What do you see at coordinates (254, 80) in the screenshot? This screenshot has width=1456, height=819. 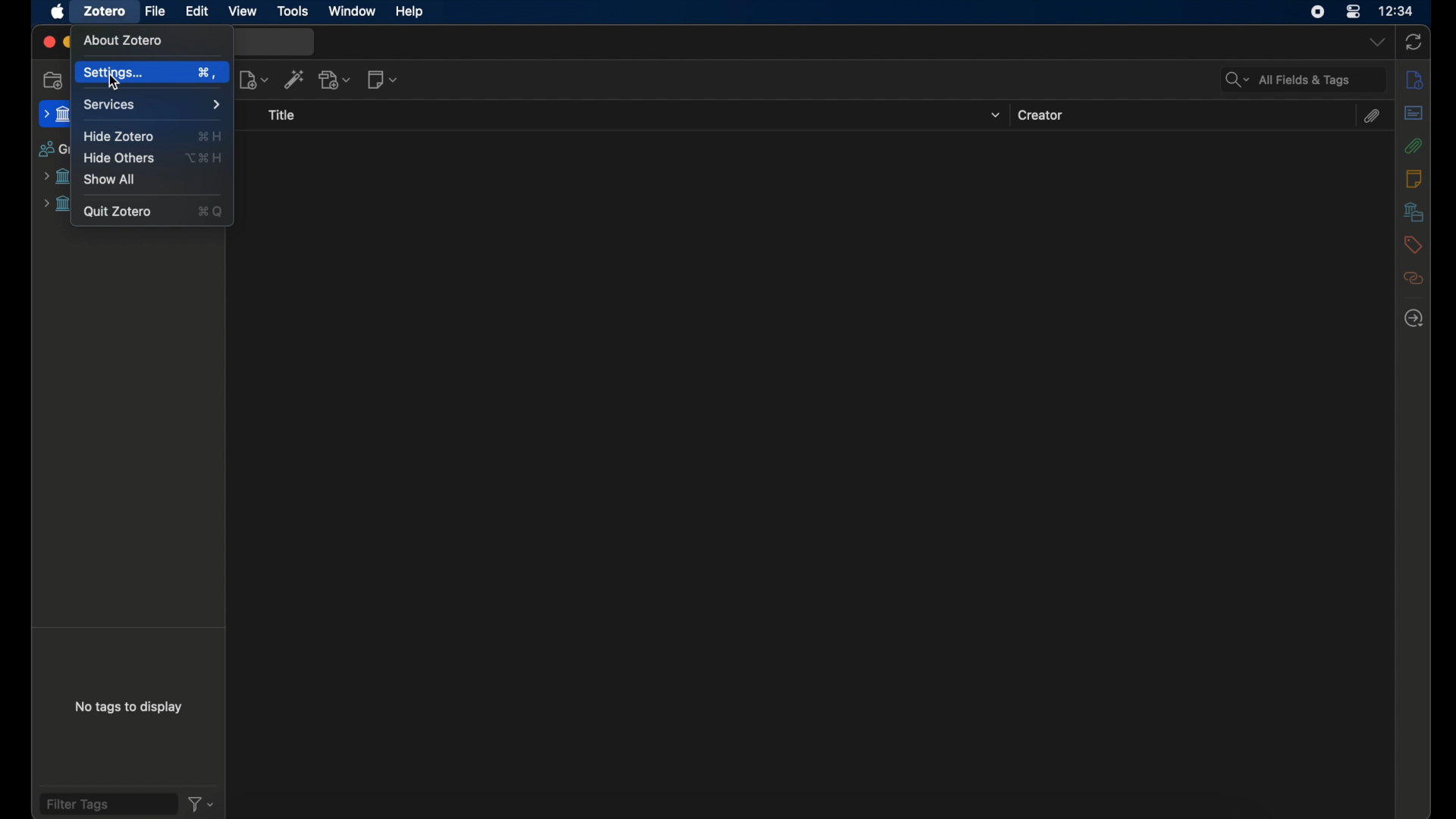 I see `new item` at bounding box center [254, 80].